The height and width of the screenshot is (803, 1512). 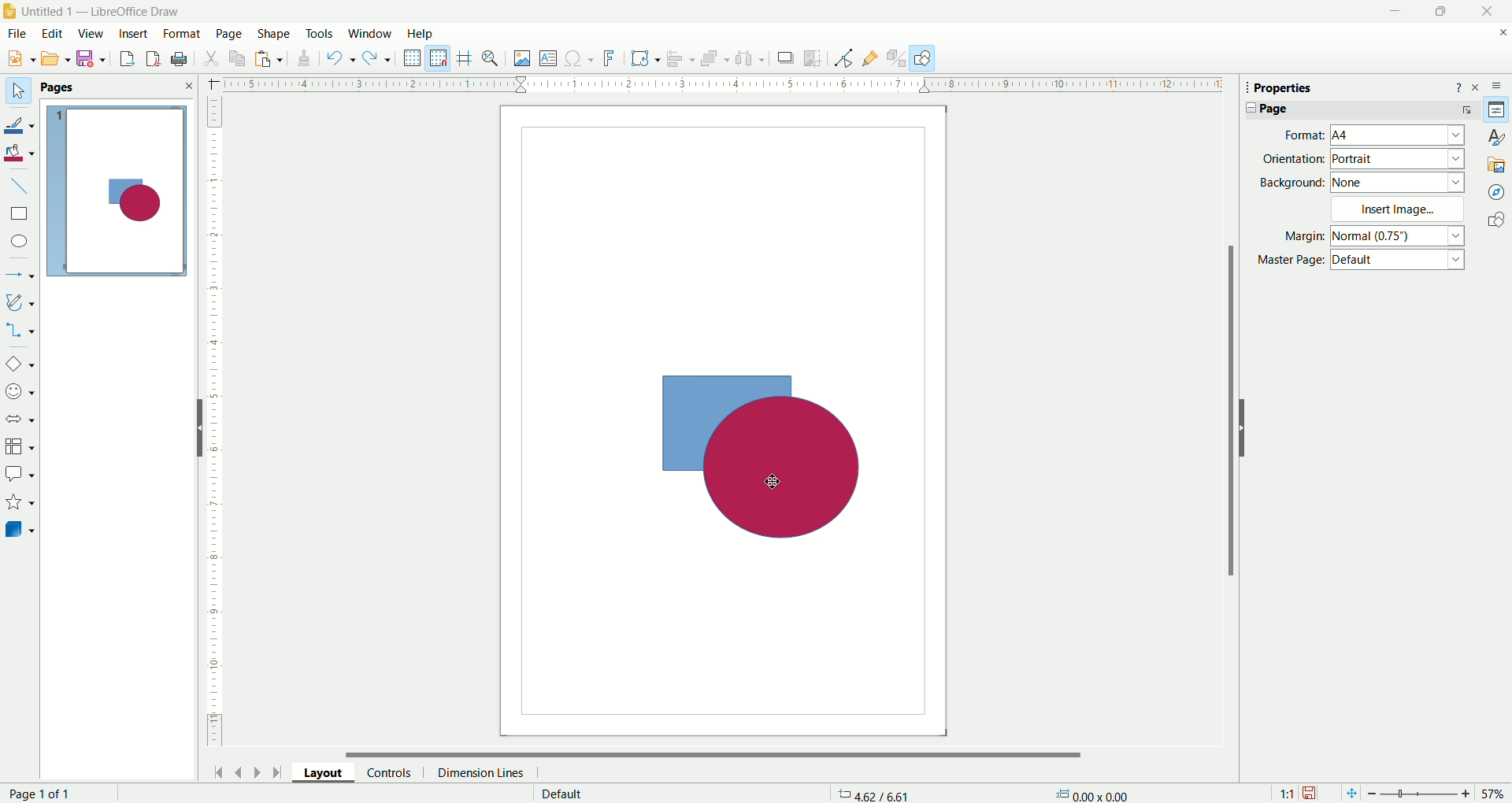 What do you see at coordinates (42, 792) in the screenshot?
I see `page` at bounding box center [42, 792].